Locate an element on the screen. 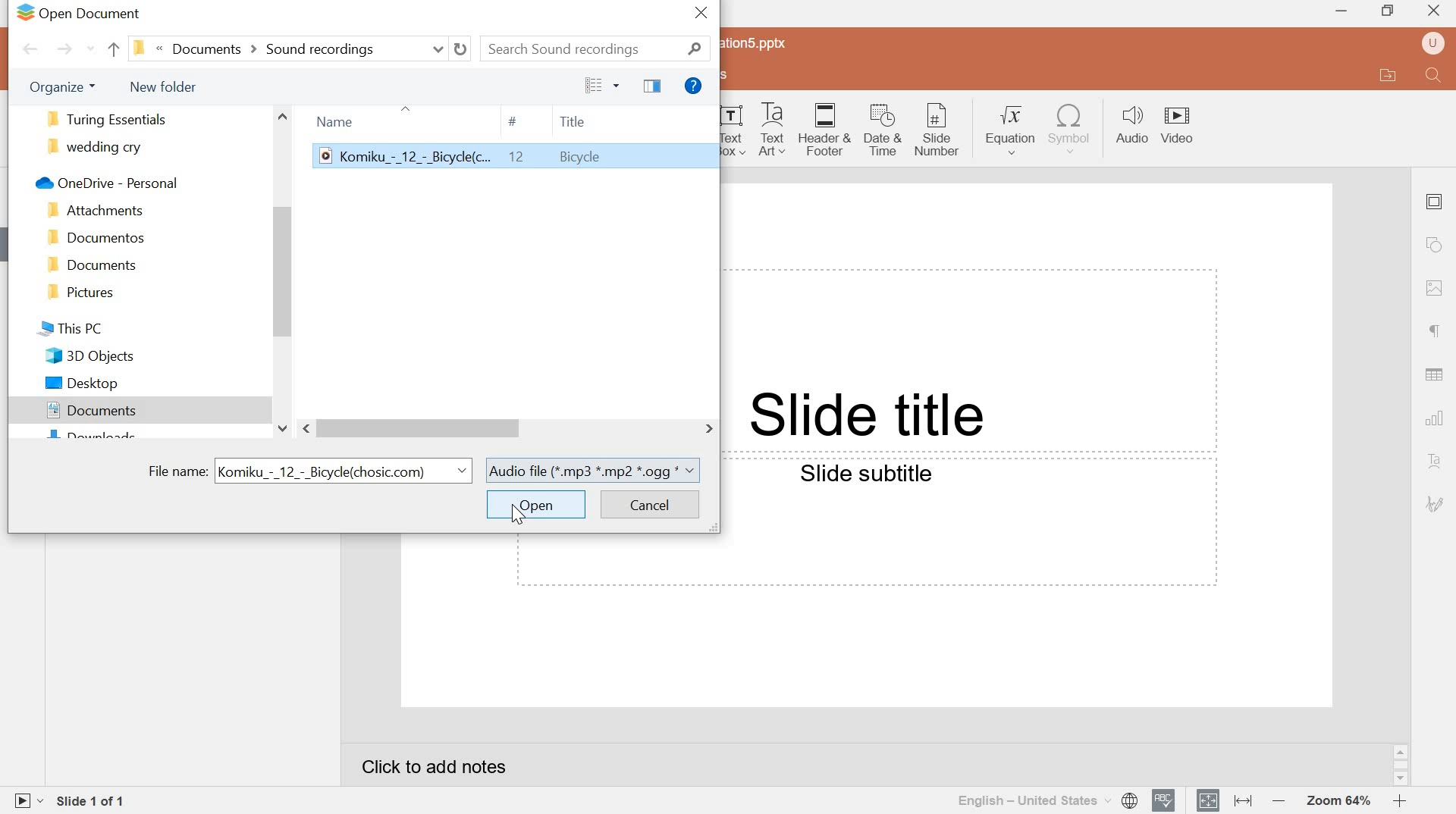 This screenshot has width=1456, height=814. onedrive-personal is located at coordinates (104, 183).